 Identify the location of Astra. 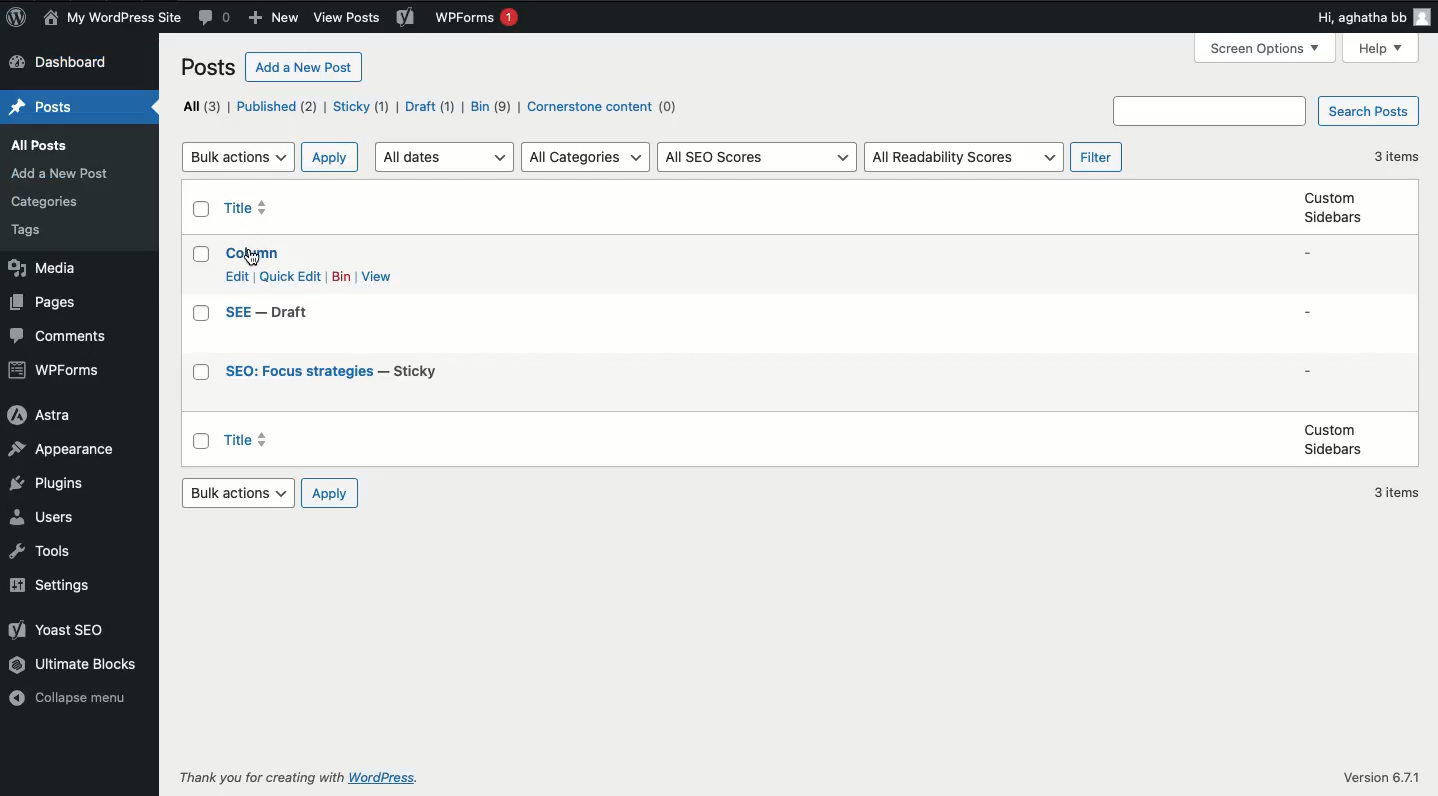
(43, 416).